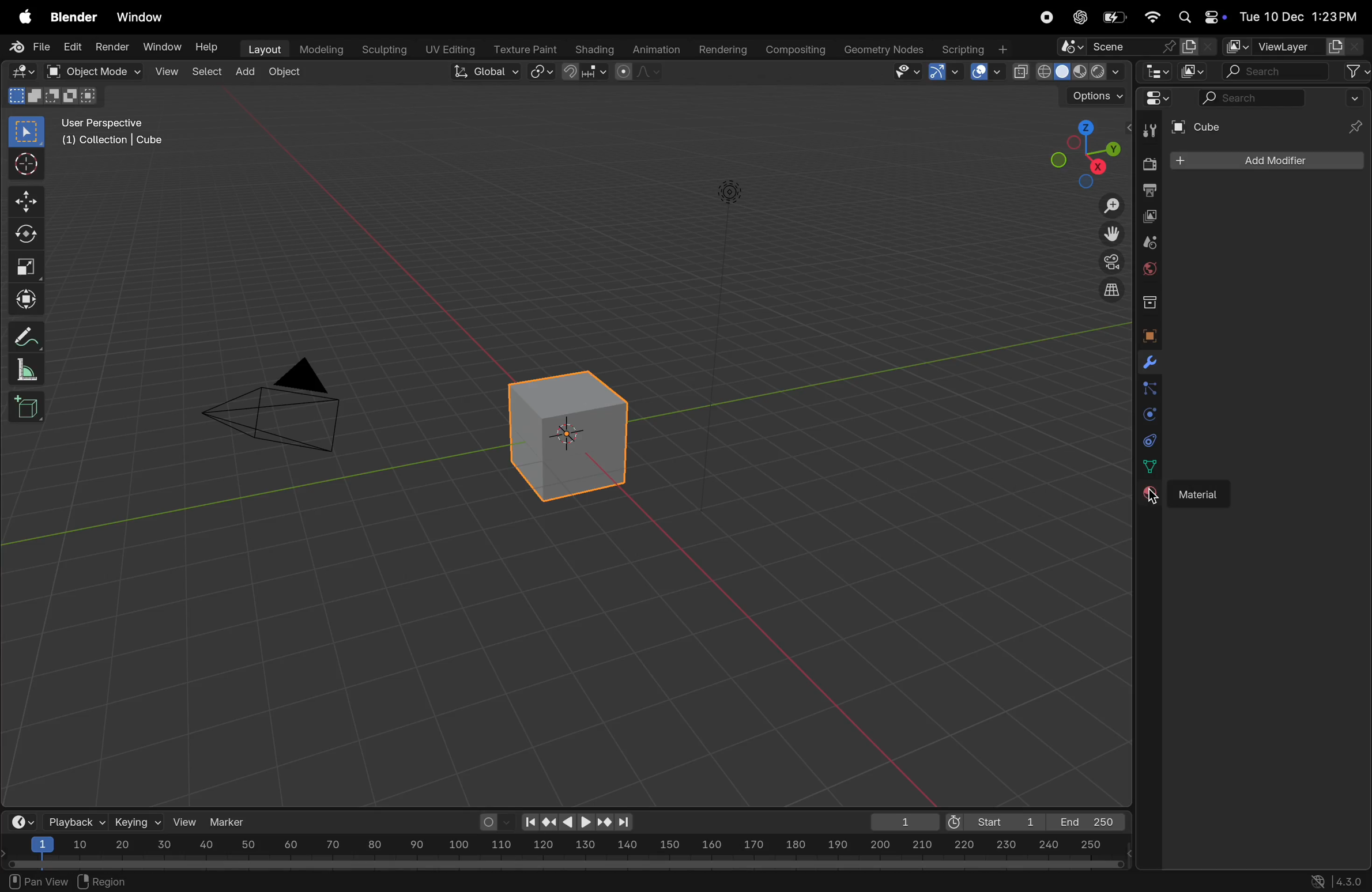  What do you see at coordinates (24, 263) in the screenshot?
I see `scale` at bounding box center [24, 263].